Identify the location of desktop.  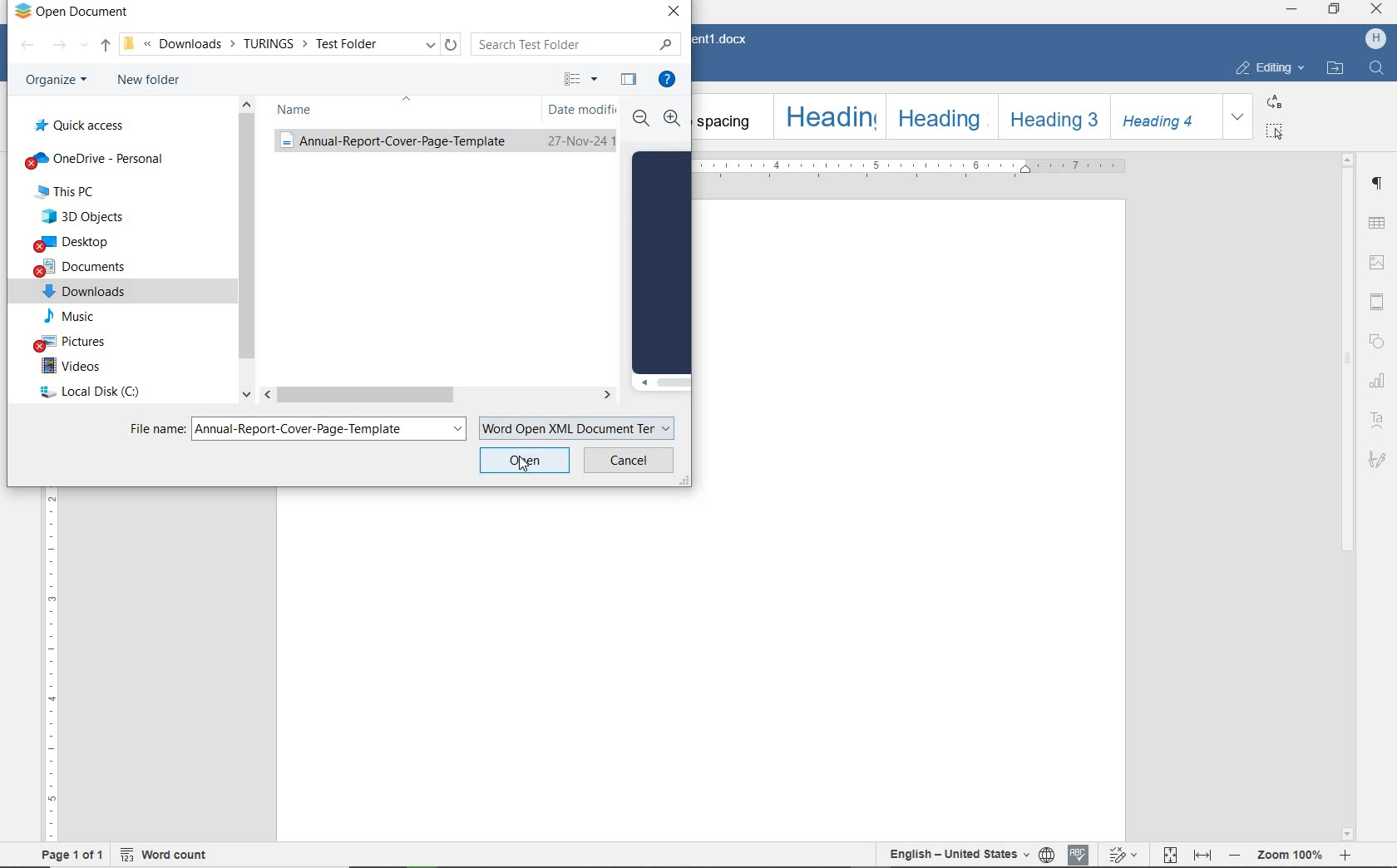
(77, 243).